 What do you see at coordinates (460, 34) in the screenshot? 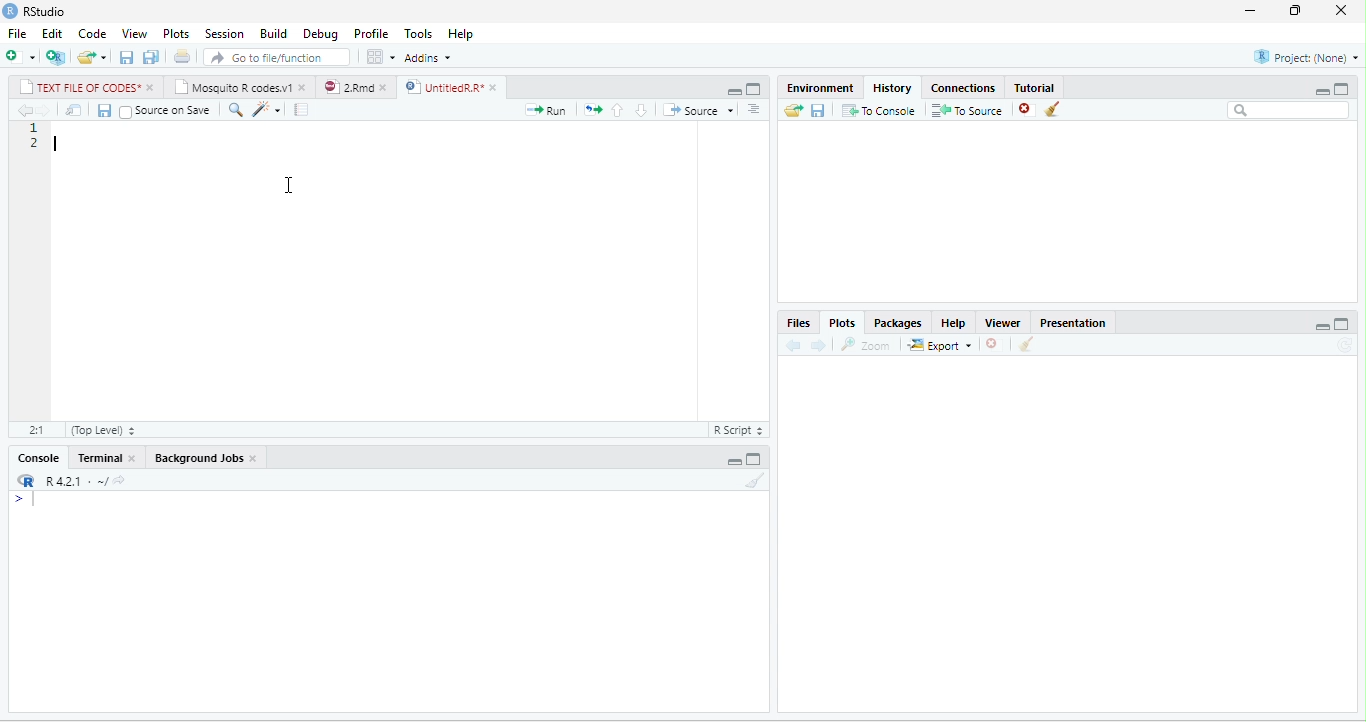
I see `Help` at bounding box center [460, 34].